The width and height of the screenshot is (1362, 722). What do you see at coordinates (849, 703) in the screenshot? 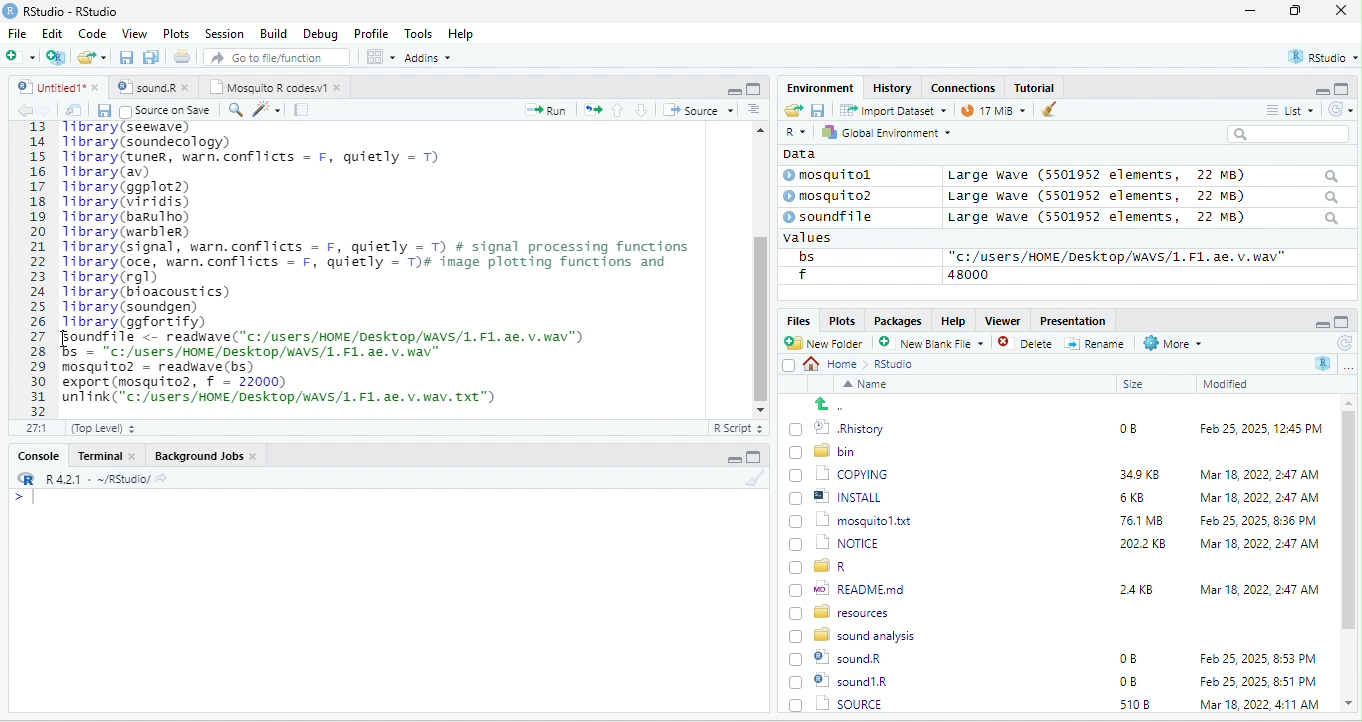
I see `Uninstall.exe` at bounding box center [849, 703].